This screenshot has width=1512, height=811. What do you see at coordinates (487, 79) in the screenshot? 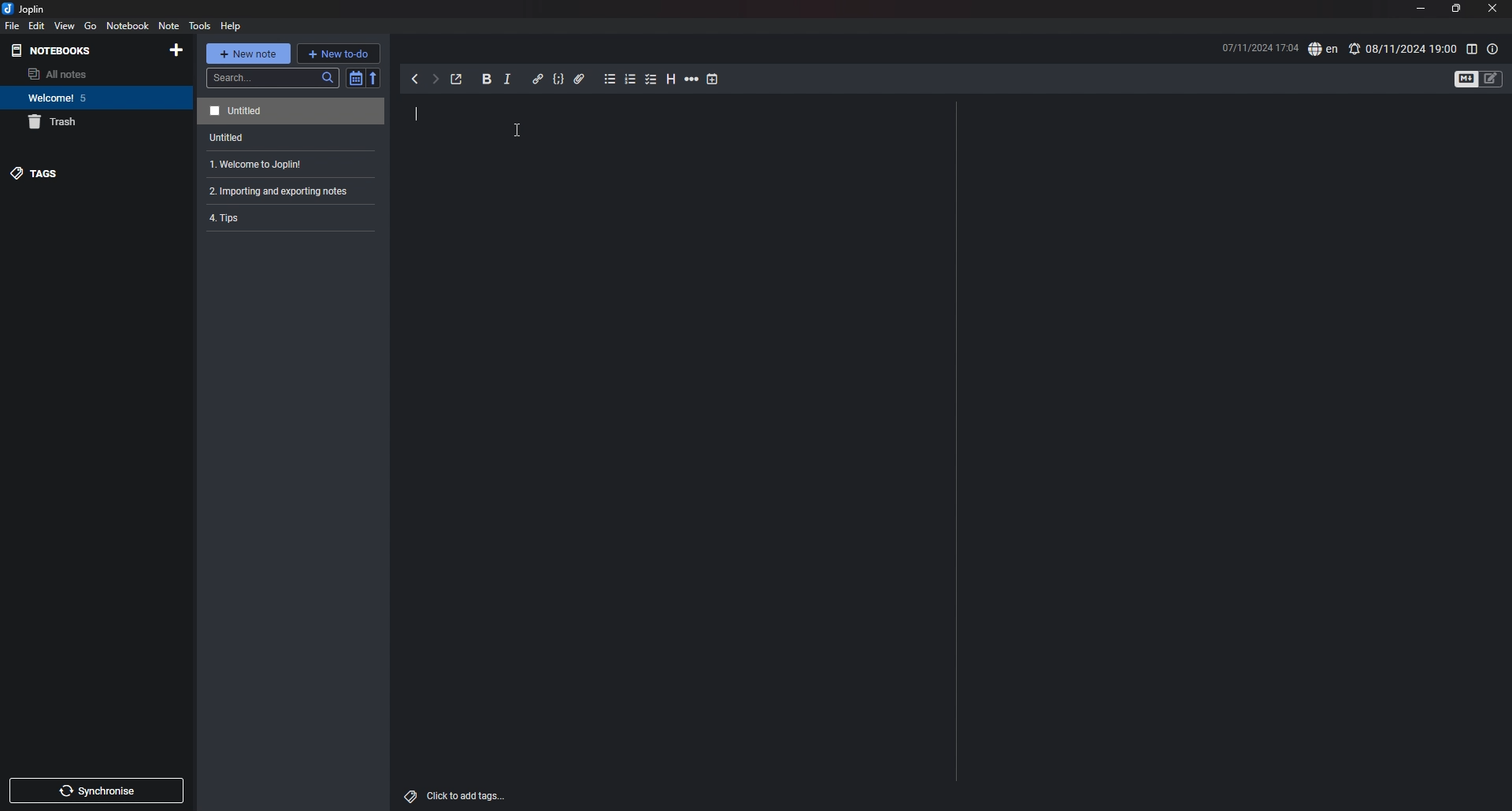
I see `bold` at bounding box center [487, 79].